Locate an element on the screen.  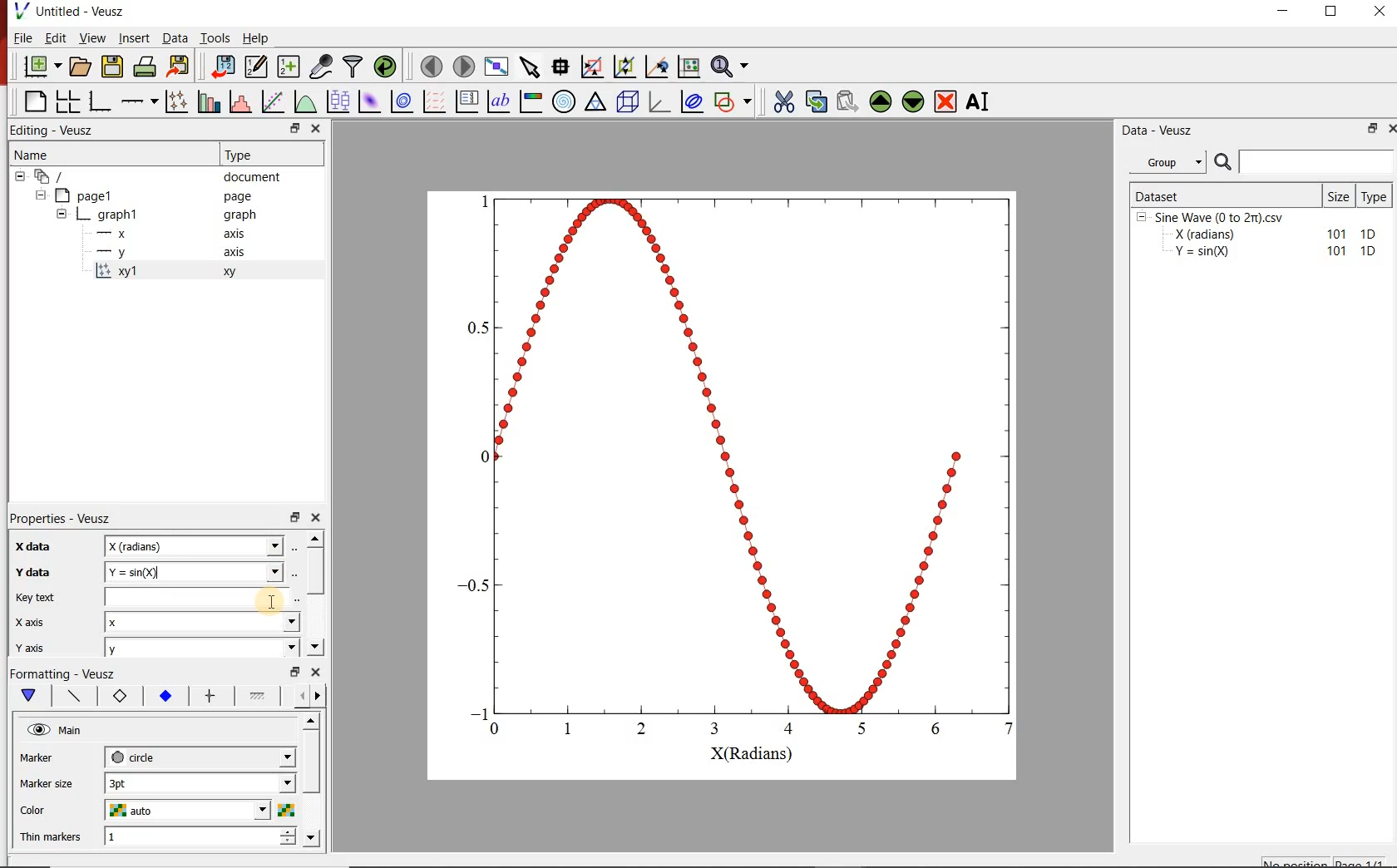
Cursor is located at coordinates (270, 609).